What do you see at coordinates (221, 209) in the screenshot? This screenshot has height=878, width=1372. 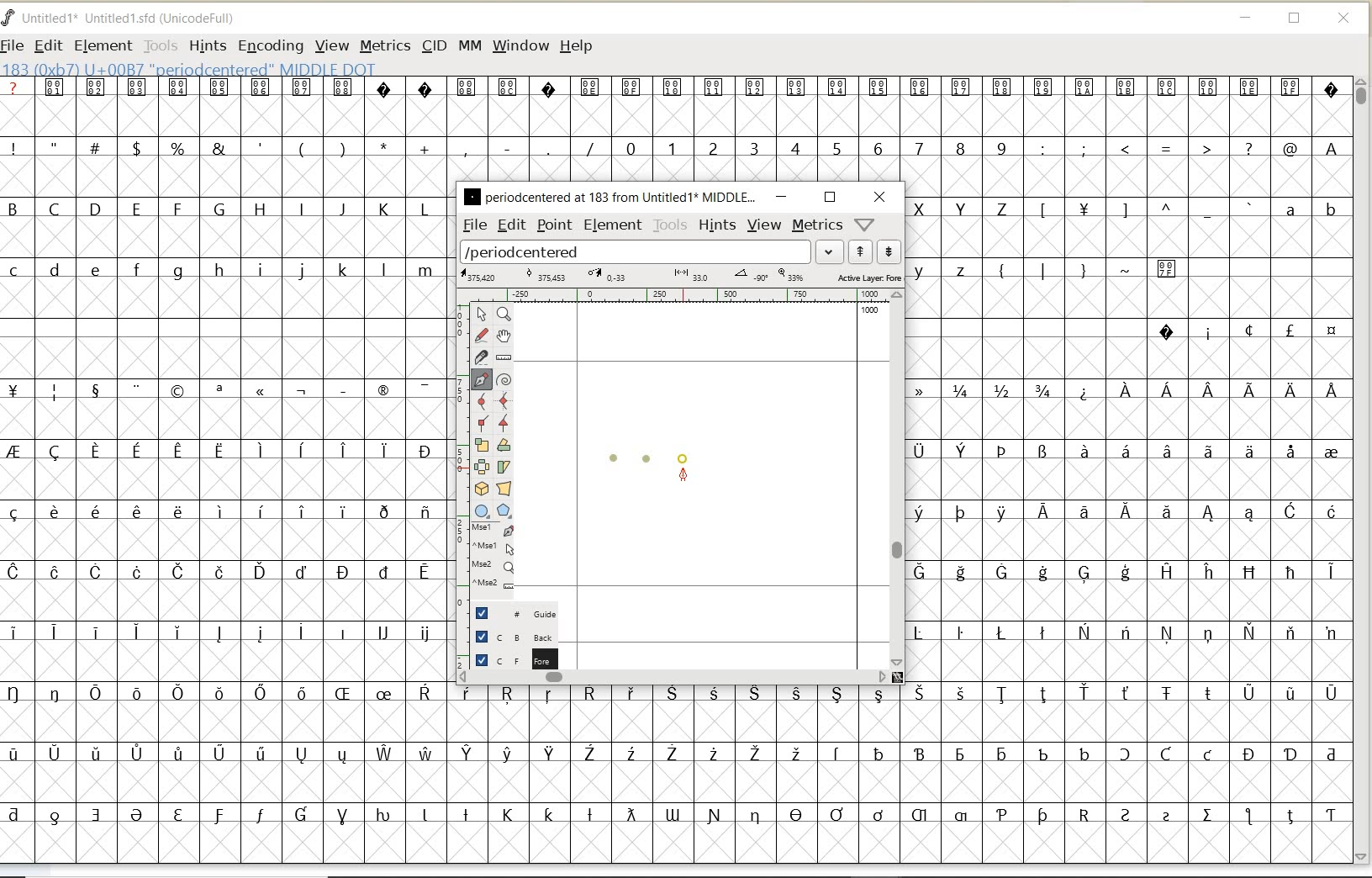 I see `uppercase letters` at bounding box center [221, 209].